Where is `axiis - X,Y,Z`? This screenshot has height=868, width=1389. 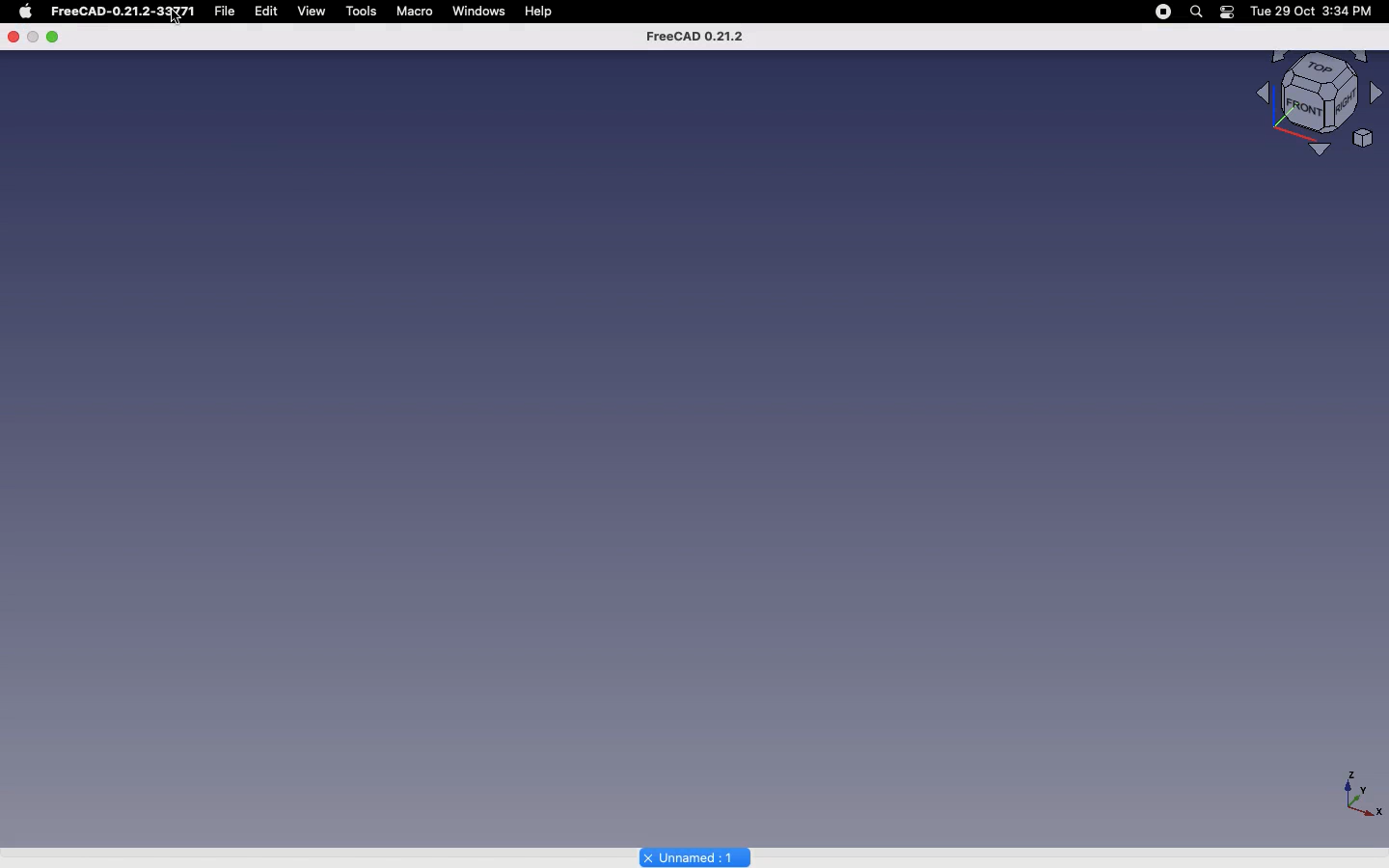
axiis - X,Y,Z is located at coordinates (1359, 791).